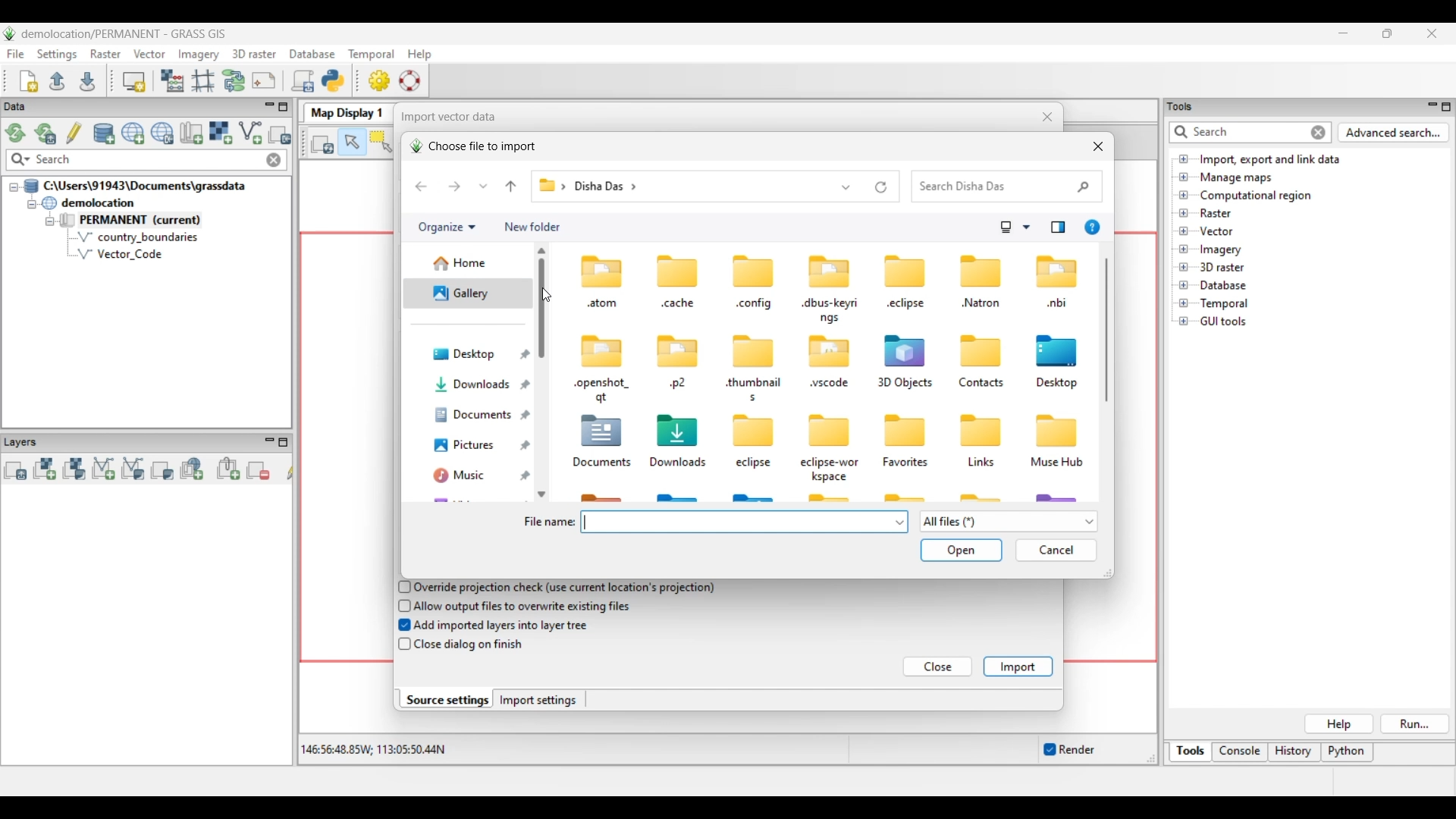 Image resolution: width=1456 pixels, height=819 pixels. What do you see at coordinates (961, 551) in the screenshot?
I see `Save and open inputs` at bounding box center [961, 551].